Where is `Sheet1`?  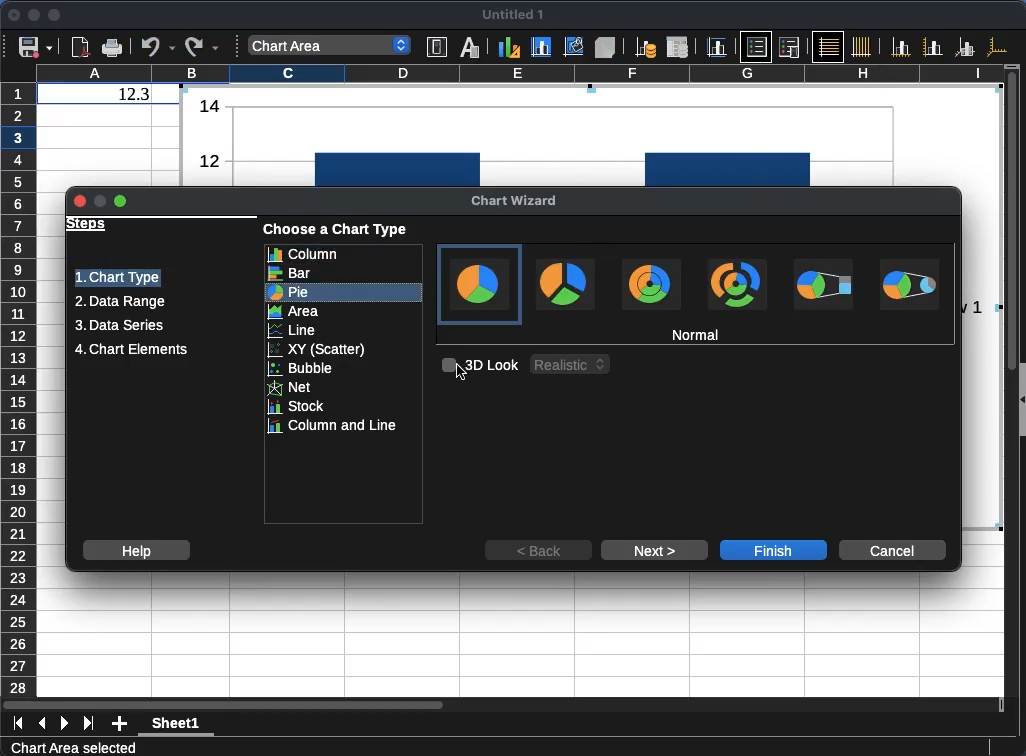 Sheet1 is located at coordinates (176, 725).